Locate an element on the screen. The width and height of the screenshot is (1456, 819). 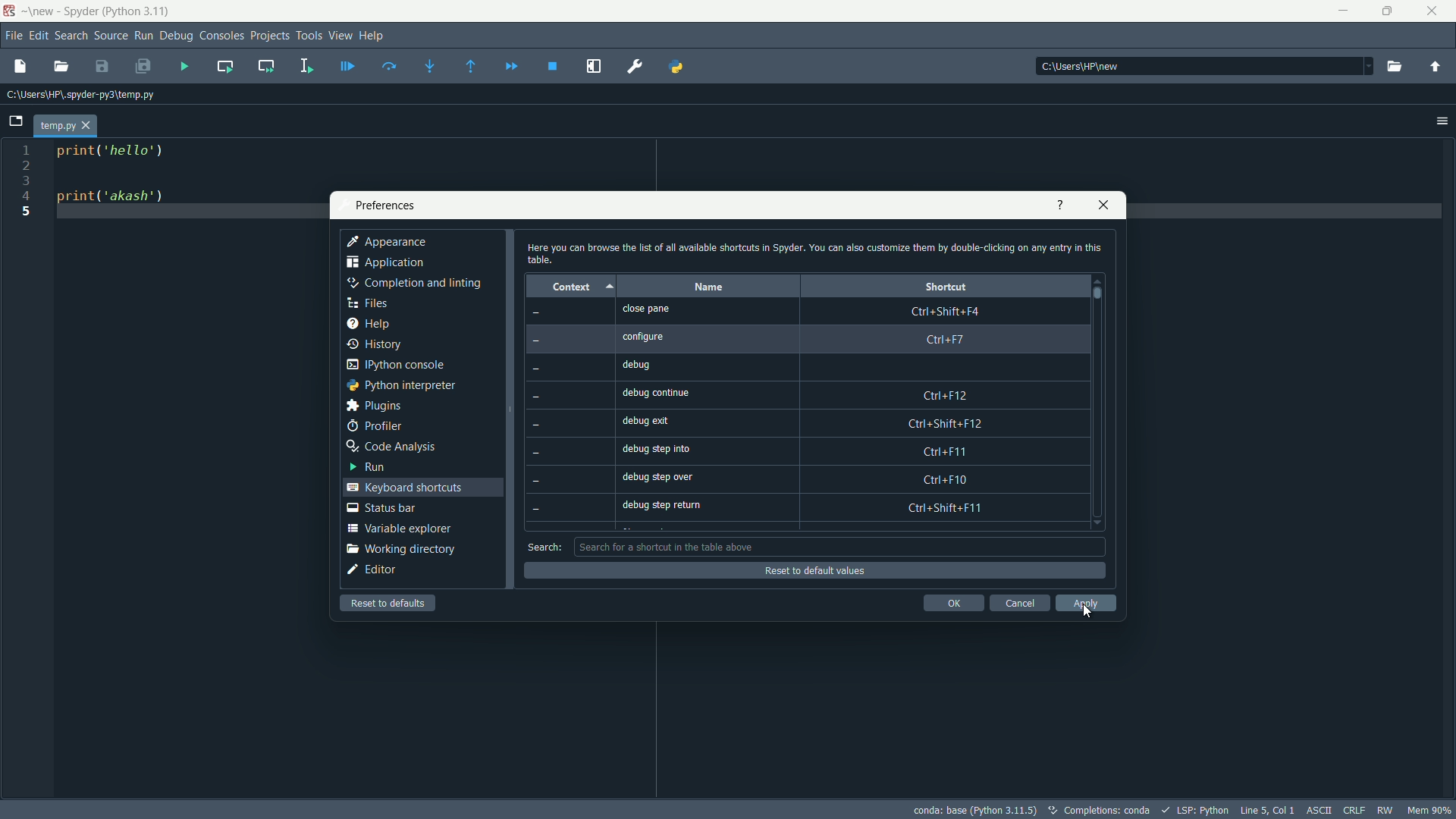
Completions: conda is located at coordinates (1117, 811).